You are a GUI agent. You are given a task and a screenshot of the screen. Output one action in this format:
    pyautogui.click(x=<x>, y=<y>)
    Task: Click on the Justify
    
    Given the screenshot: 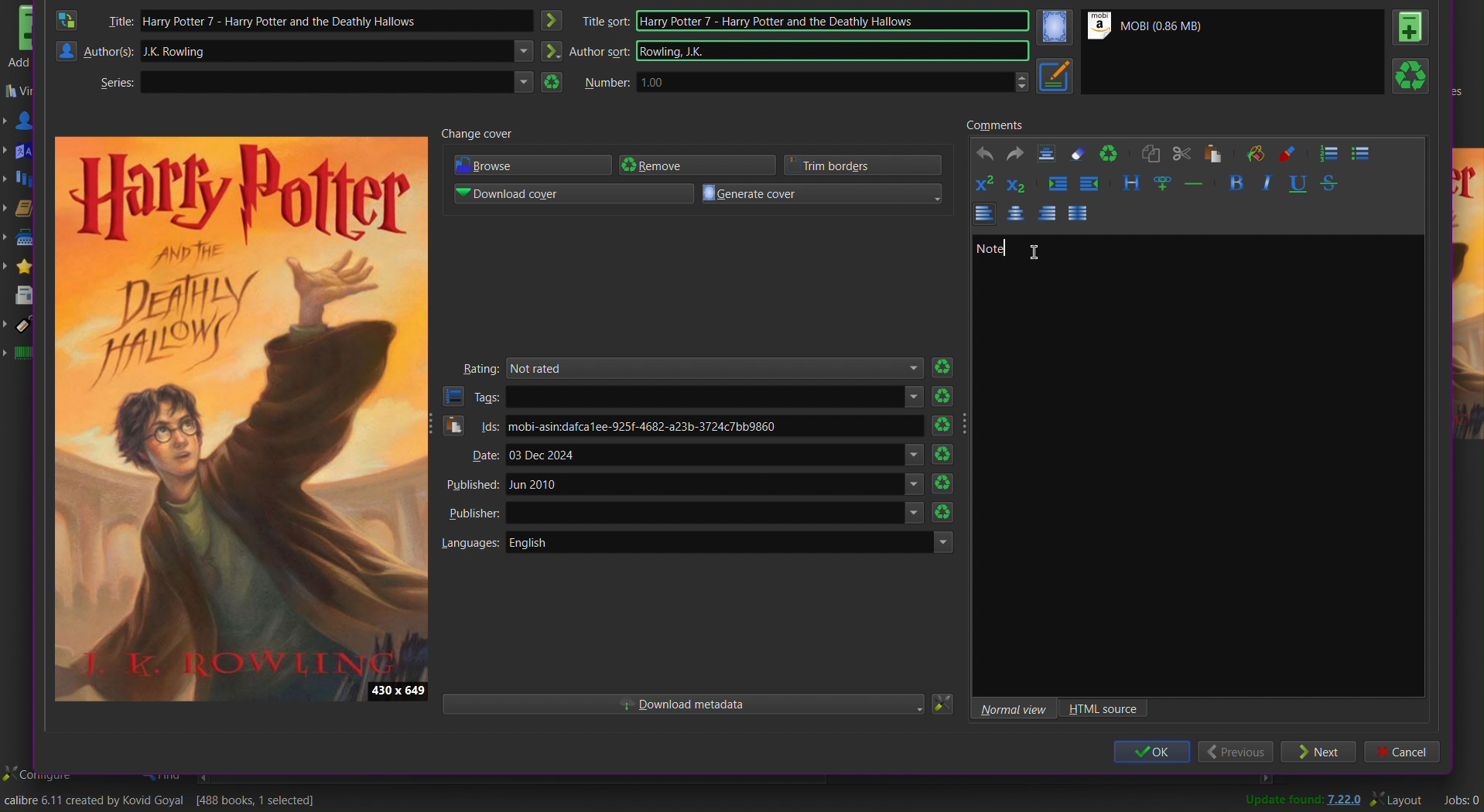 What is the action you would take?
    pyautogui.click(x=1077, y=213)
    